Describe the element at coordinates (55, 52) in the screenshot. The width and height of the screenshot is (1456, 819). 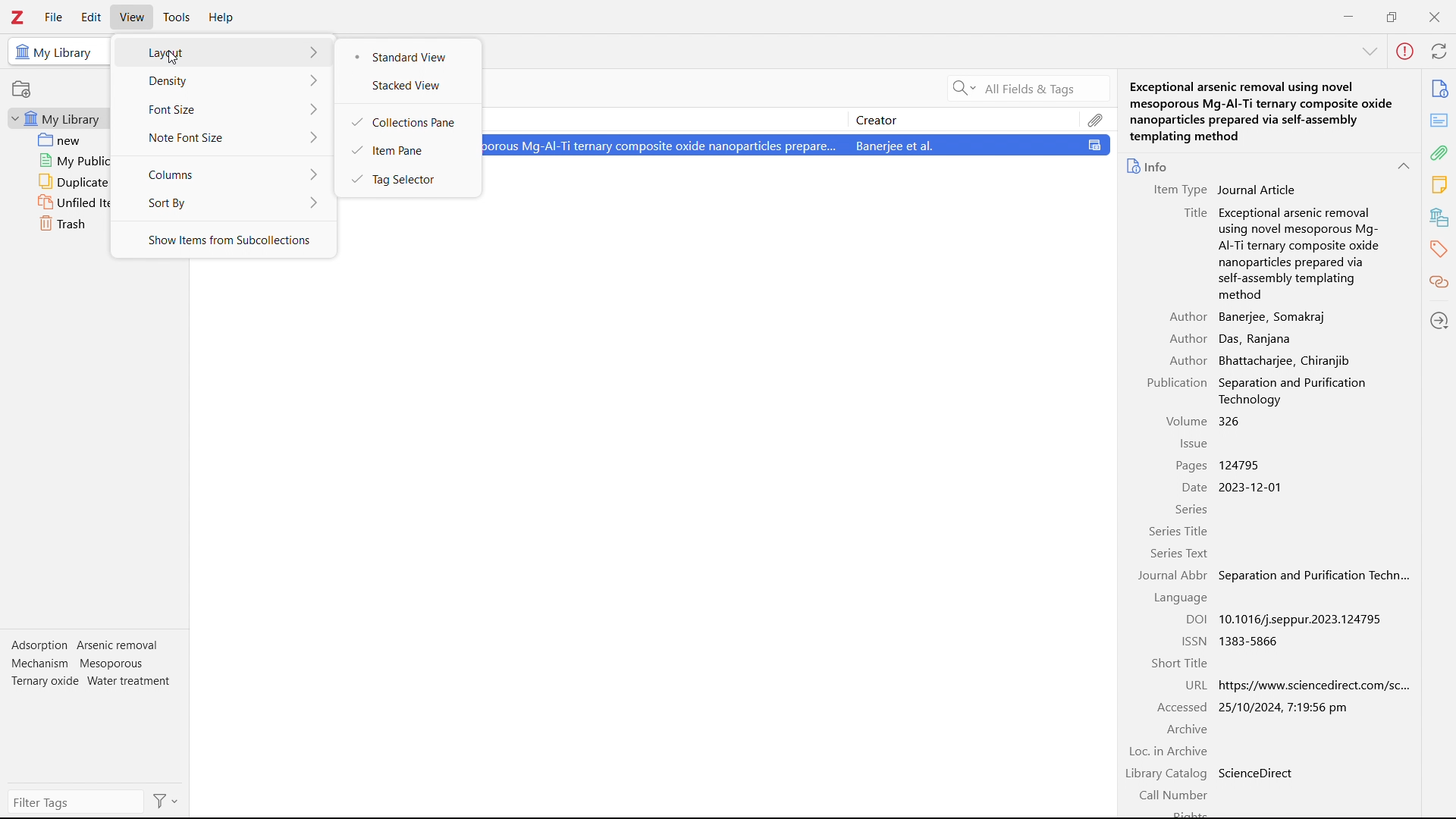
I see `My Library` at that location.